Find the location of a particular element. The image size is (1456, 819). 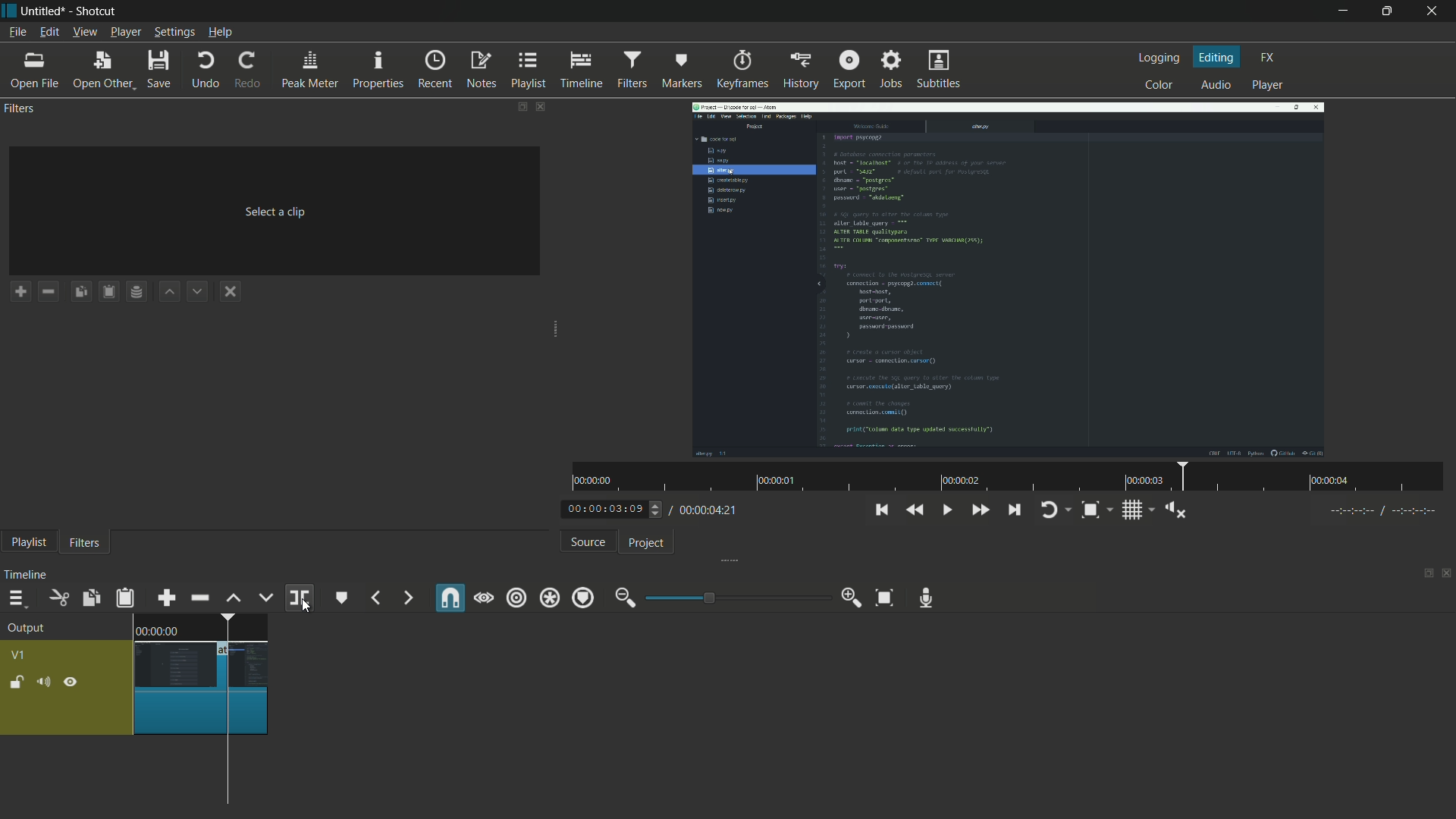

jobs is located at coordinates (893, 70).